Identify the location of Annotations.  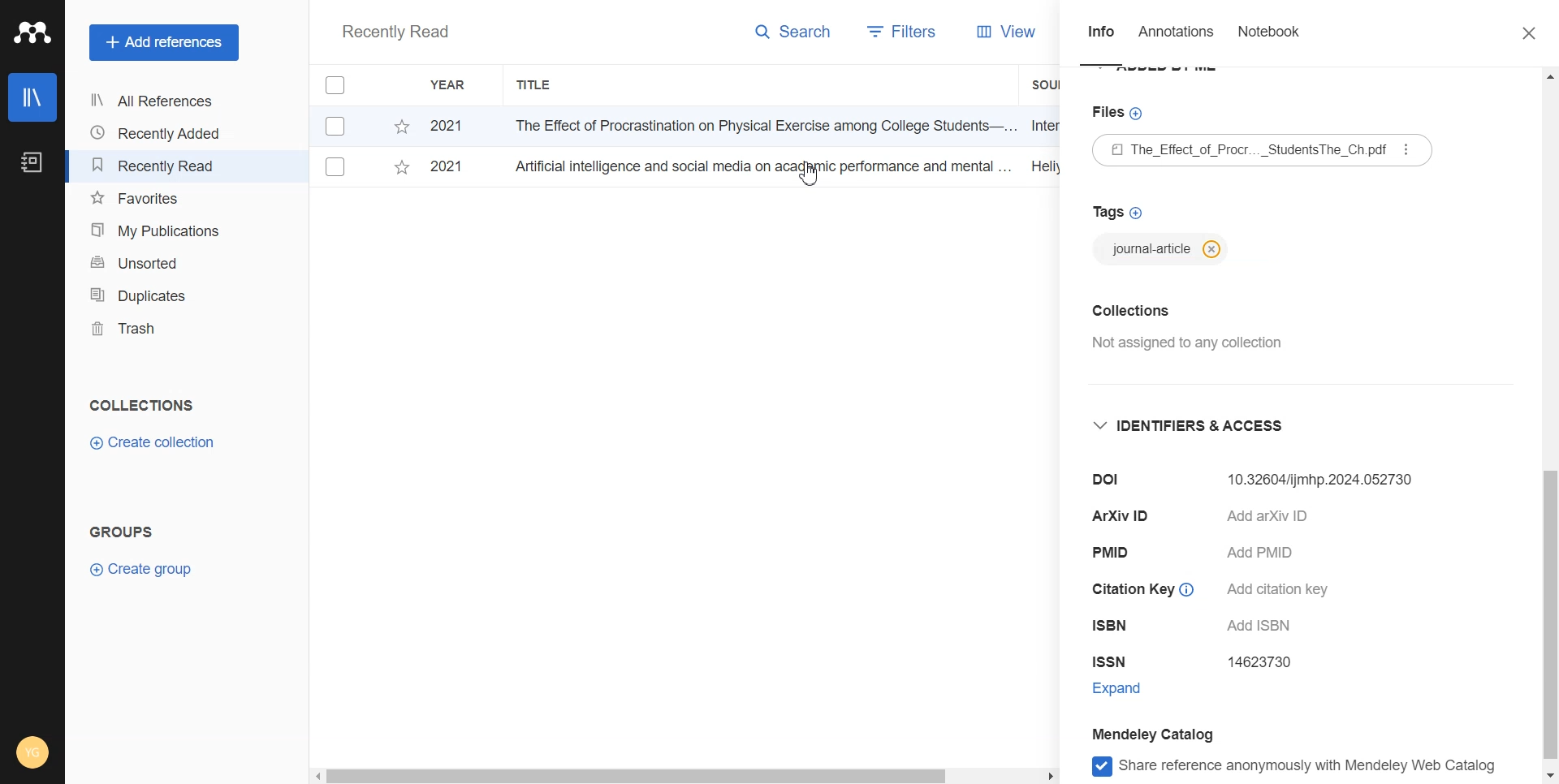
(1178, 36).